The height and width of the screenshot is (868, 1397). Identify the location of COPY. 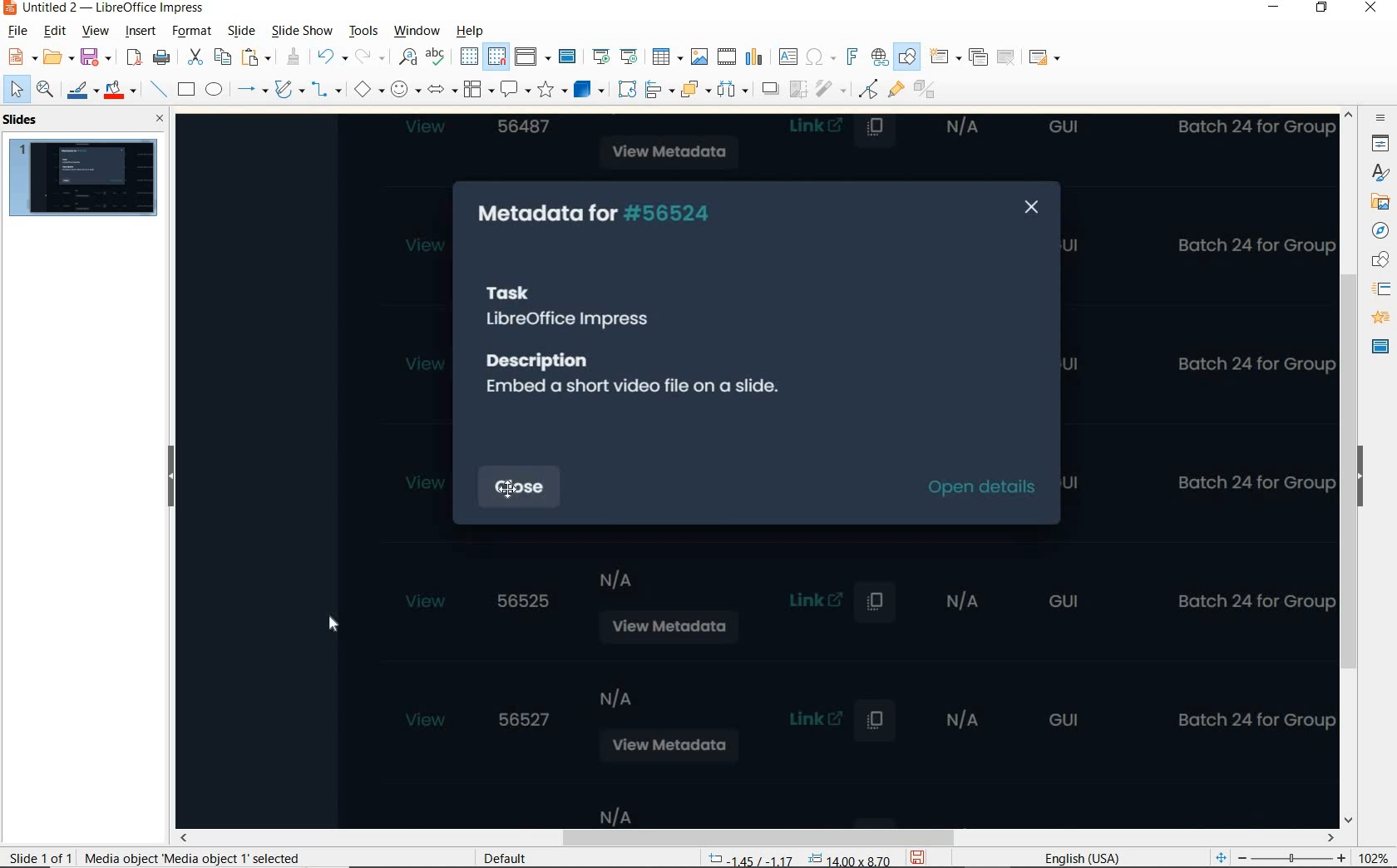
(222, 56).